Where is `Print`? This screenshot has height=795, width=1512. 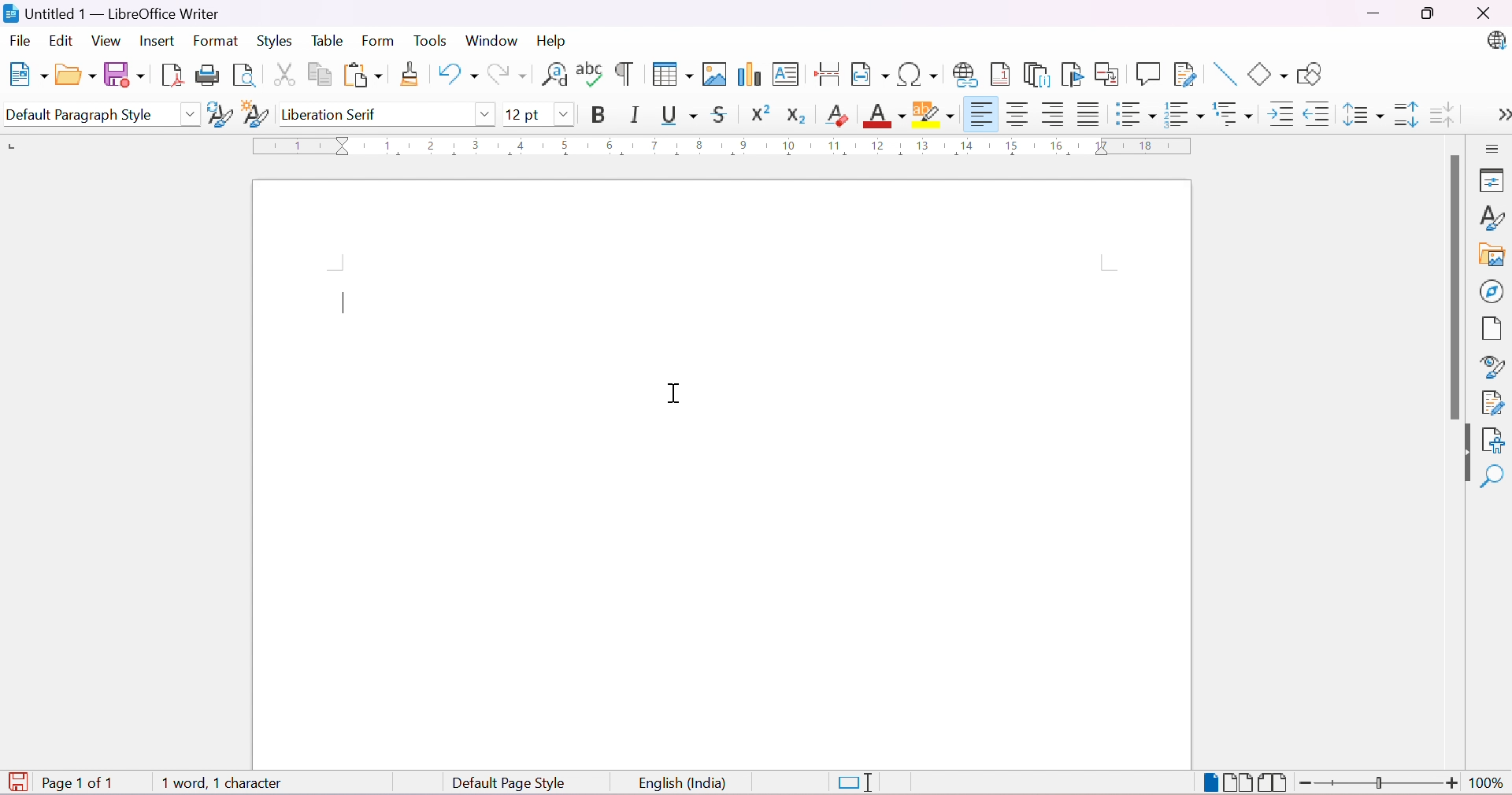
Print is located at coordinates (206, 76).